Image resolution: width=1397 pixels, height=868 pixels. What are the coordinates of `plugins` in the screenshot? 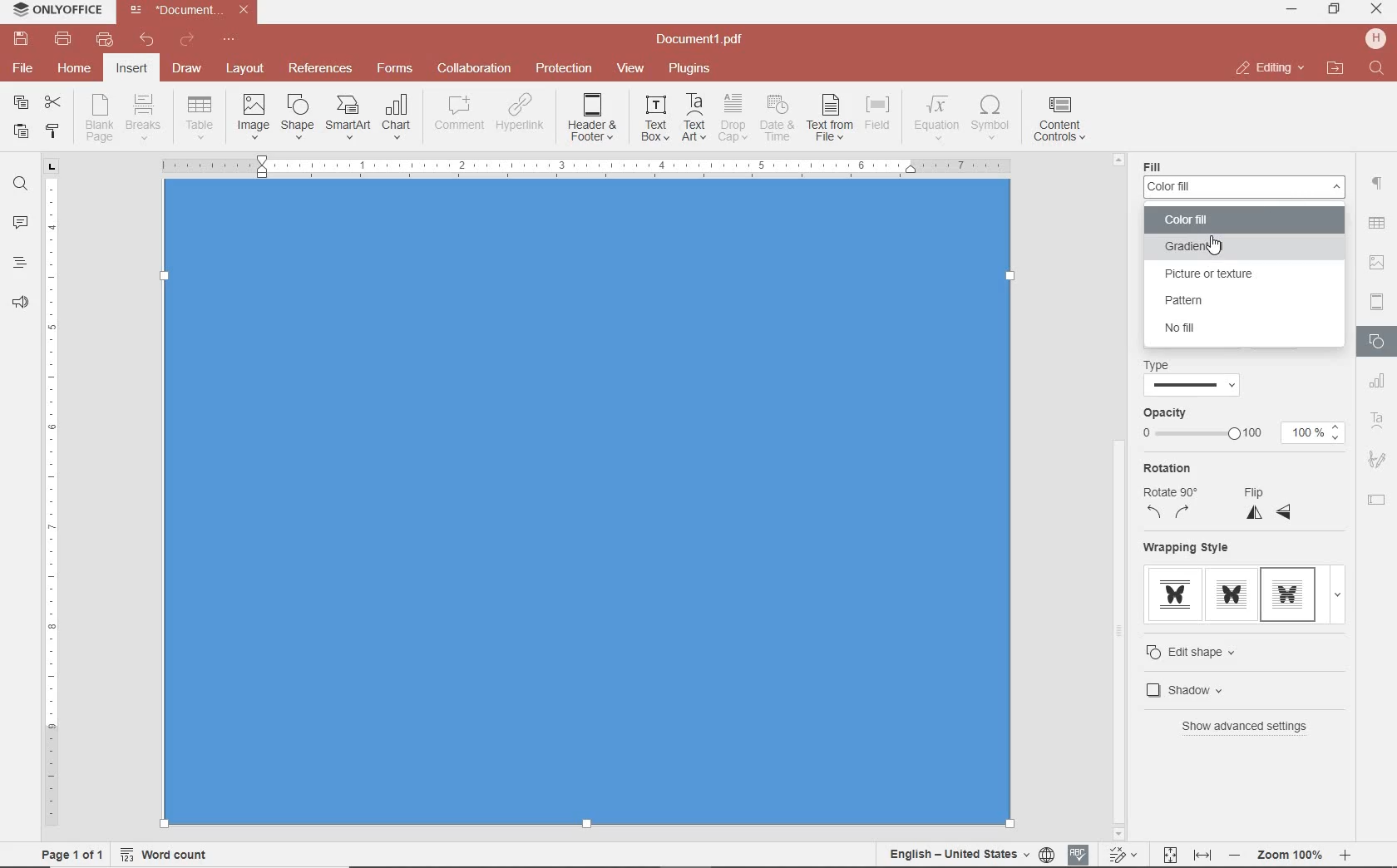 It's located at (693, 69).